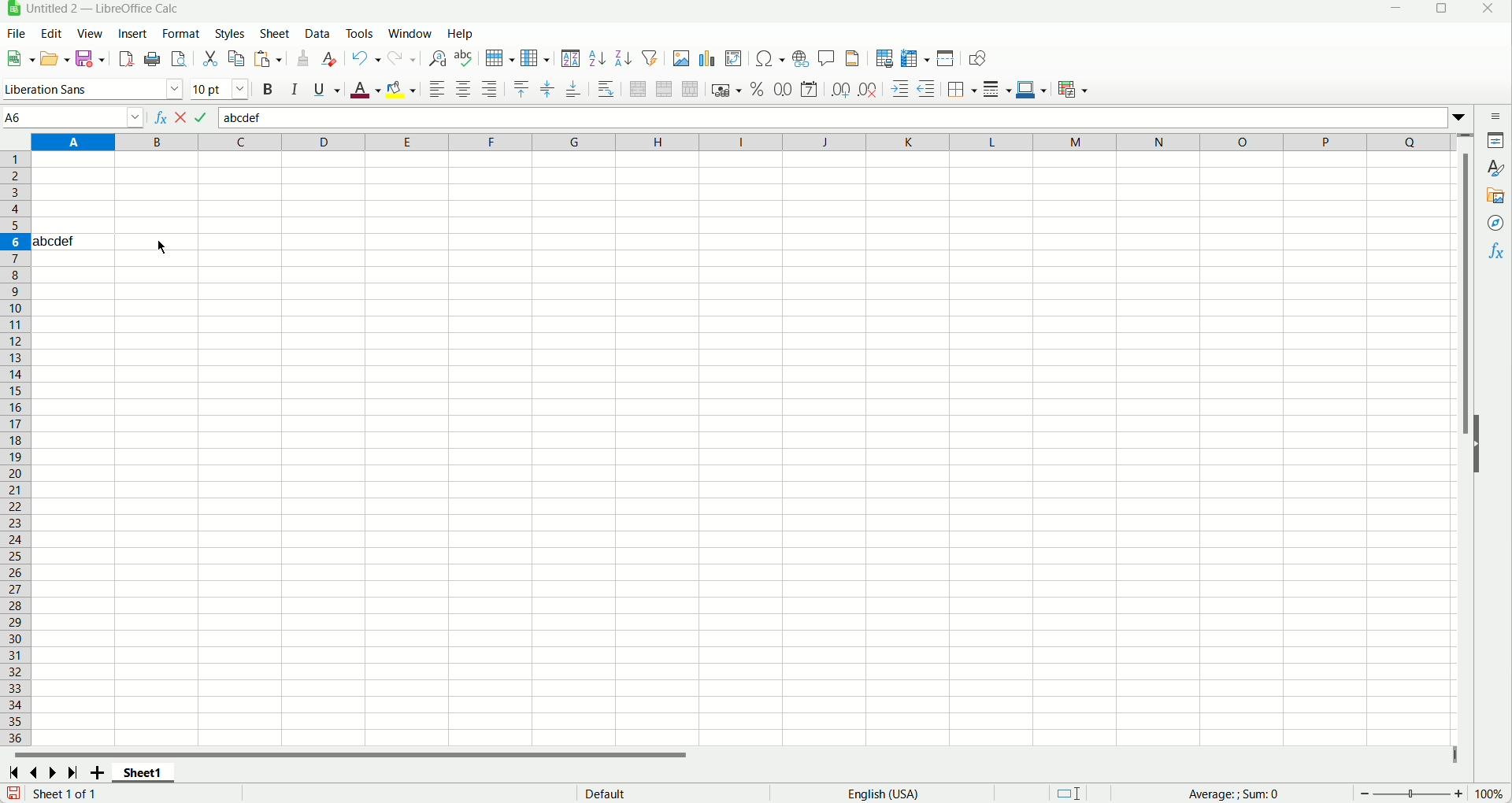 The width and height of the screenshot is (1512, 803). What do you see at coordinates (928, 88) in the screenshot?
I see `decrease indent` at bounding box center [928, 88].